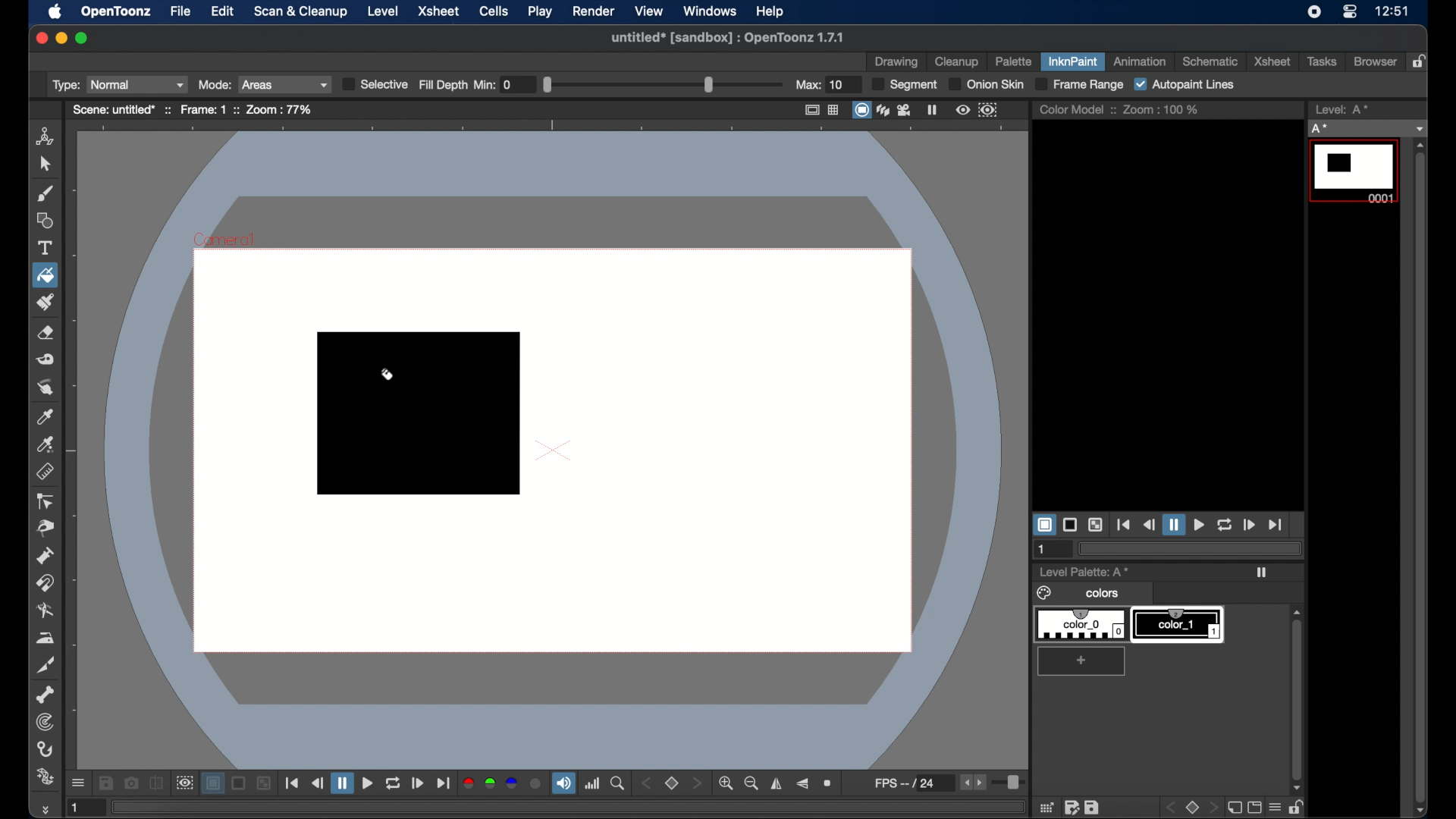 Image resolution: width=1456 pixels, height=819 pixels. Describe the element at coordinates (180, 11) in the screenshot. I see `file` at that location.